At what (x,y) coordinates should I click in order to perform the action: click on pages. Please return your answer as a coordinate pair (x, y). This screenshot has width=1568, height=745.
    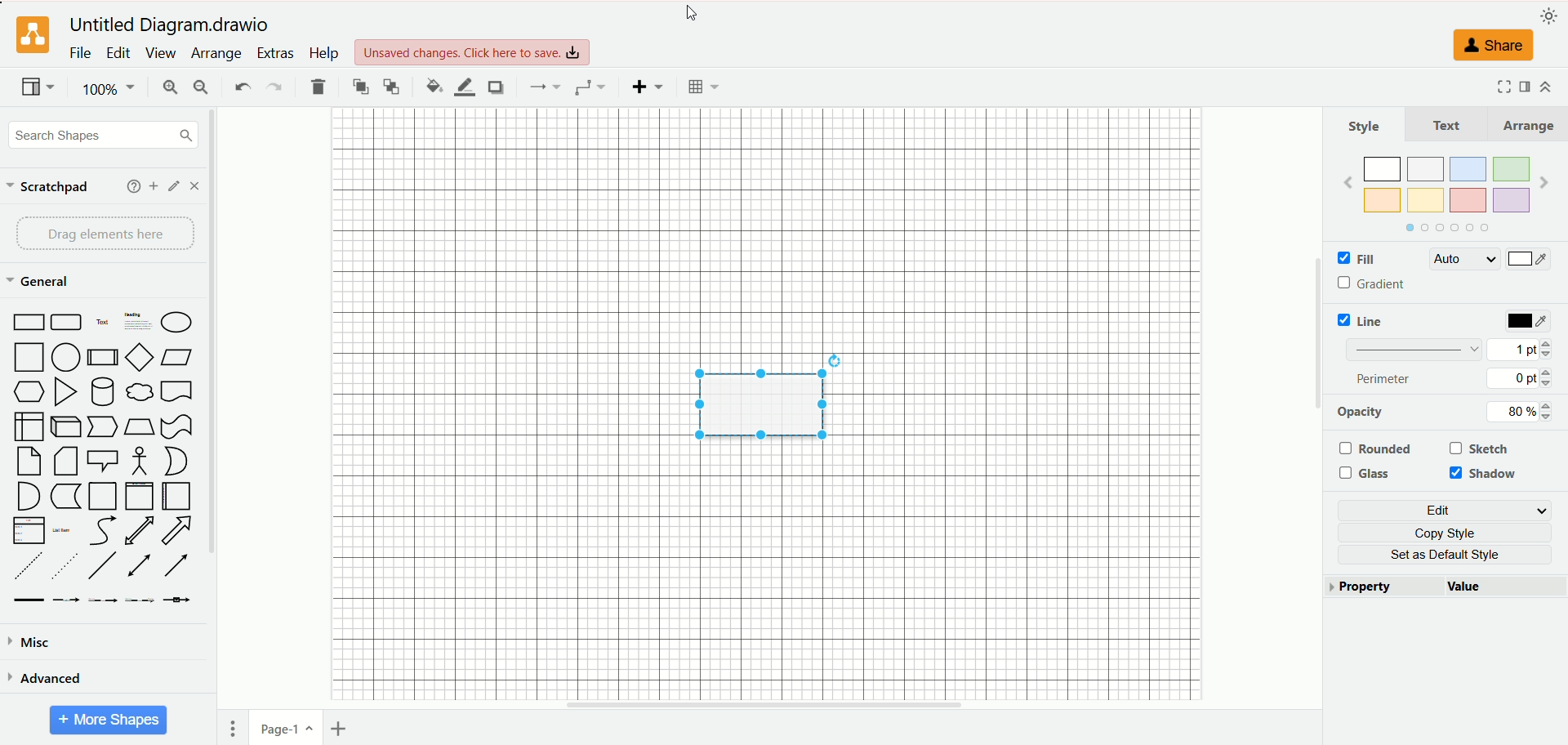
    Looking at the image, I should click on (233, 729).